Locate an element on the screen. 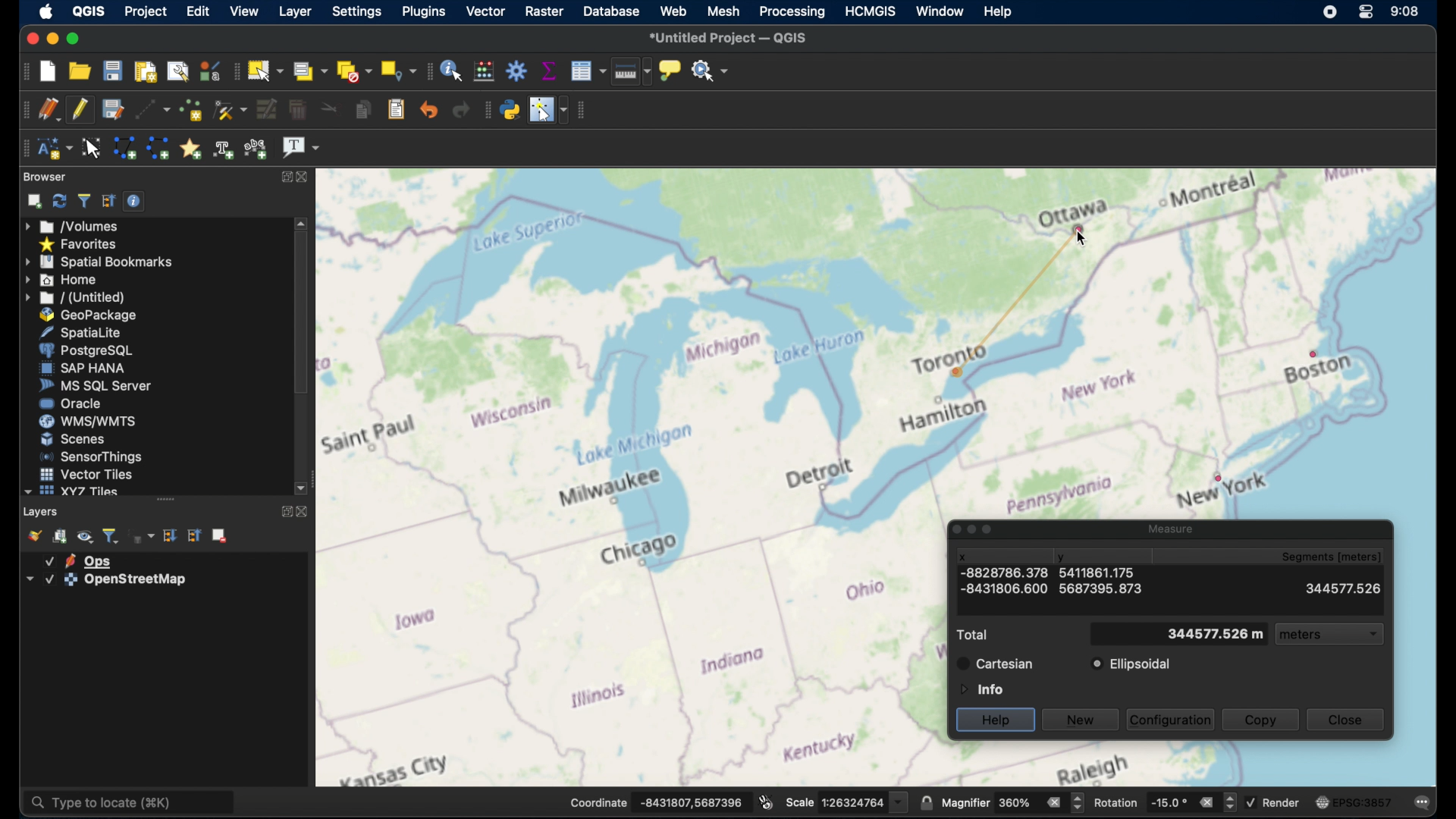 Image resolution: width=1456 pixels, height=819 pixels. total is located at coordinates (971, 635).